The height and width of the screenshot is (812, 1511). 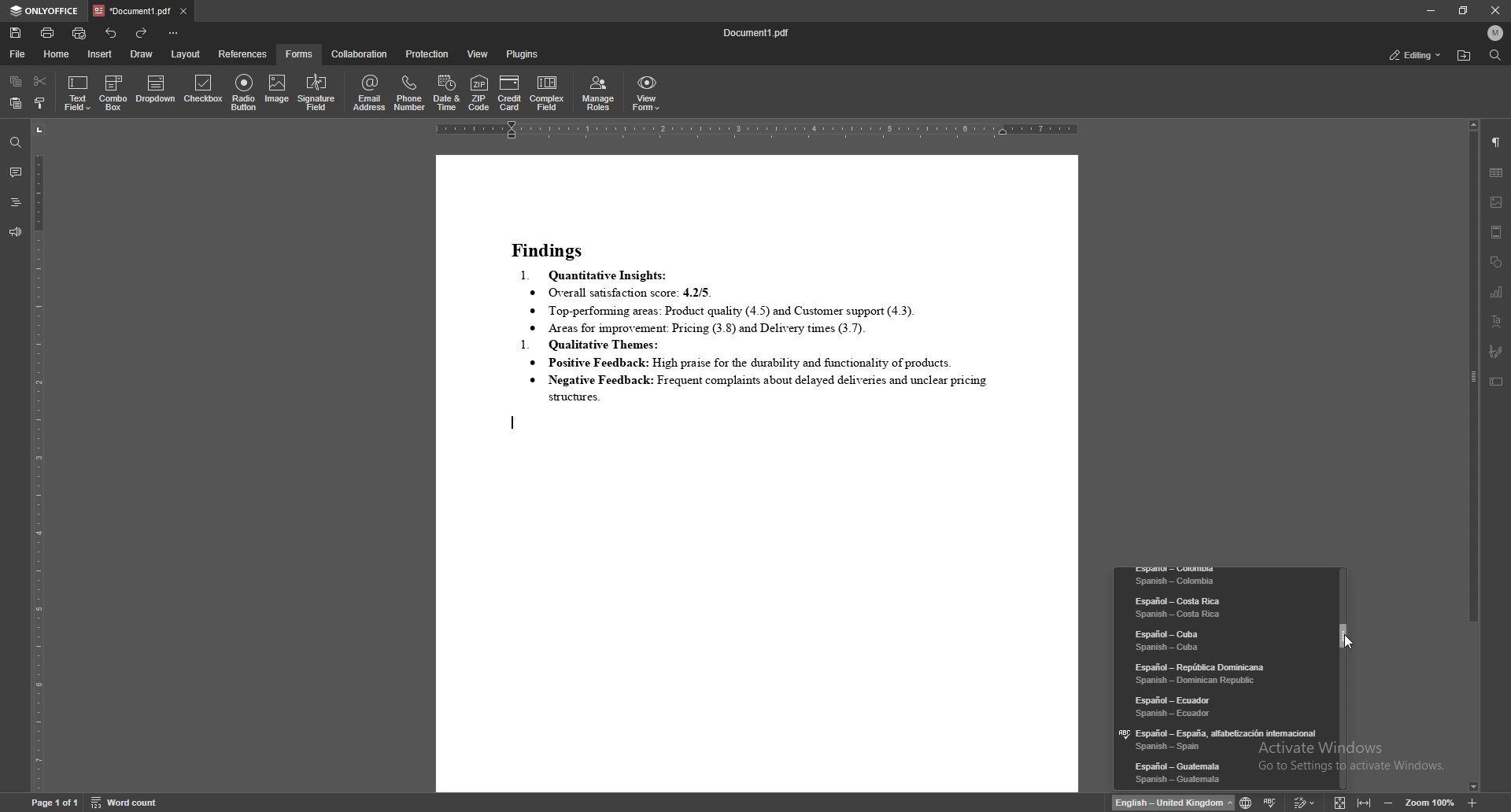 I want to click on language, so click(x=1221, y=705).